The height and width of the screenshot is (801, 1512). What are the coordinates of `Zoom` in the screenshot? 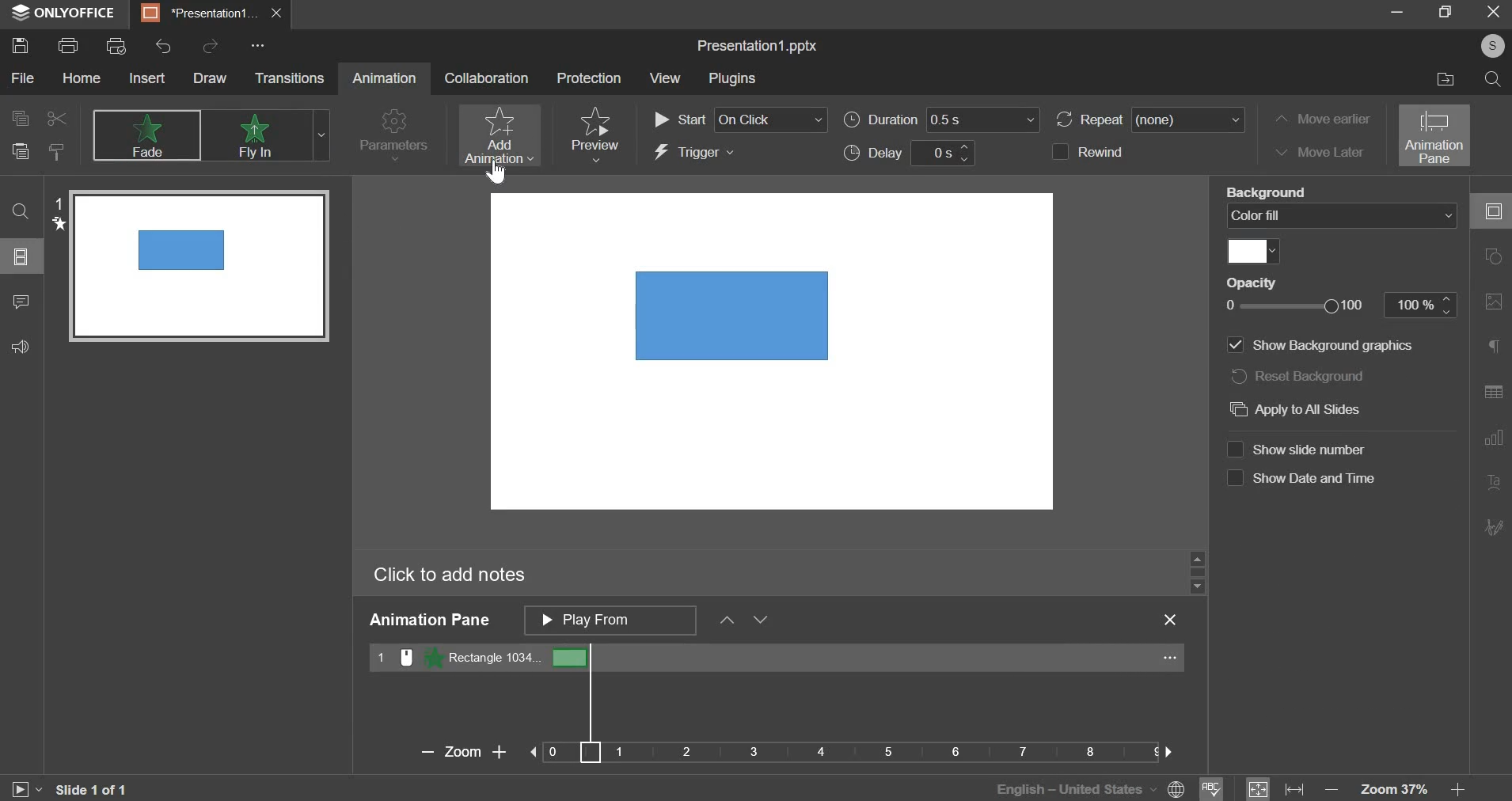 It's located at (462, 752).